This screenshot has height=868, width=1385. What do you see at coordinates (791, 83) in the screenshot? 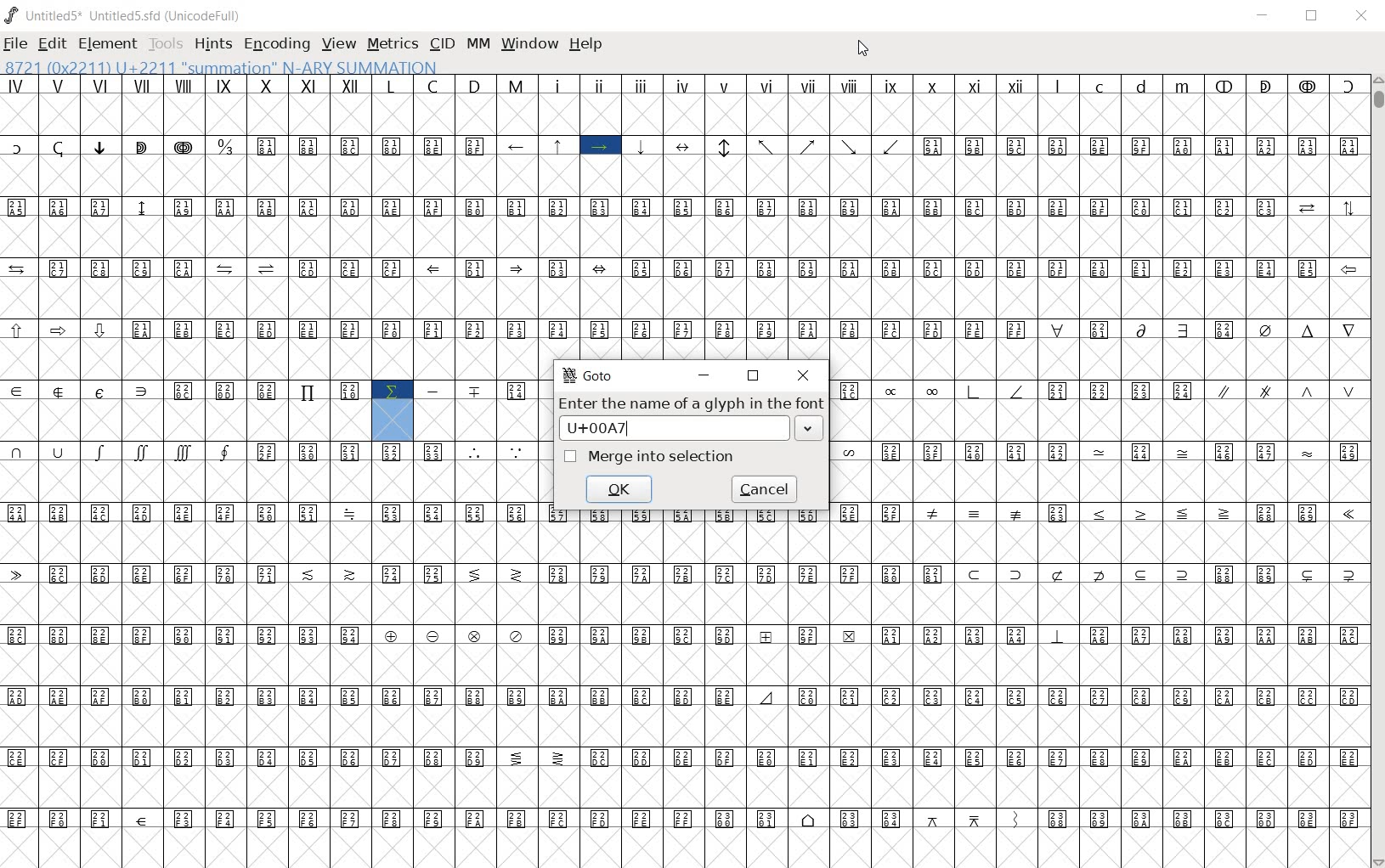
I see `roman numerals` at bounding box center [791, 83].